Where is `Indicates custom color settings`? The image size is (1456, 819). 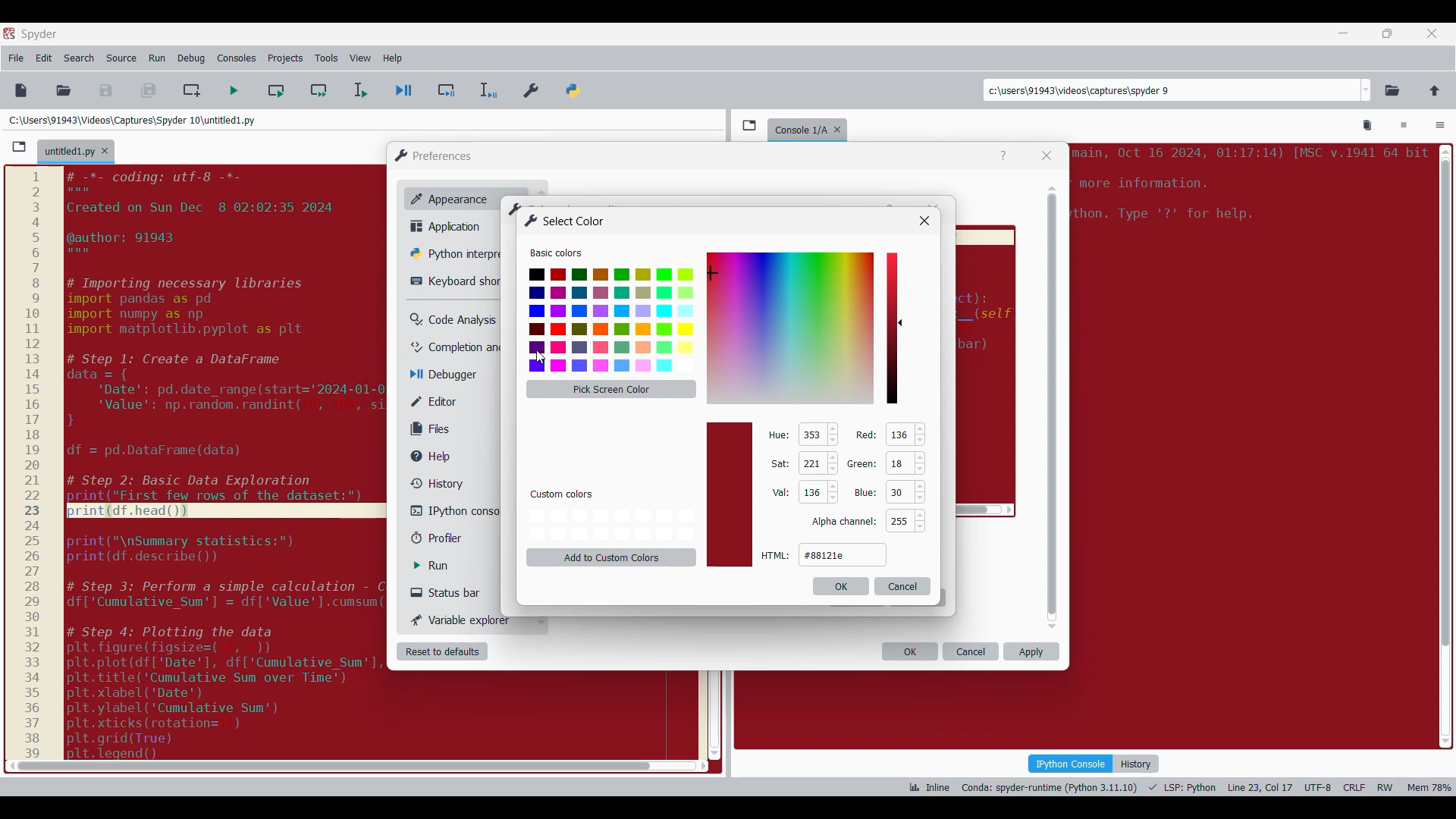 Indicates custom color settings is located at coordinates (563, 494).